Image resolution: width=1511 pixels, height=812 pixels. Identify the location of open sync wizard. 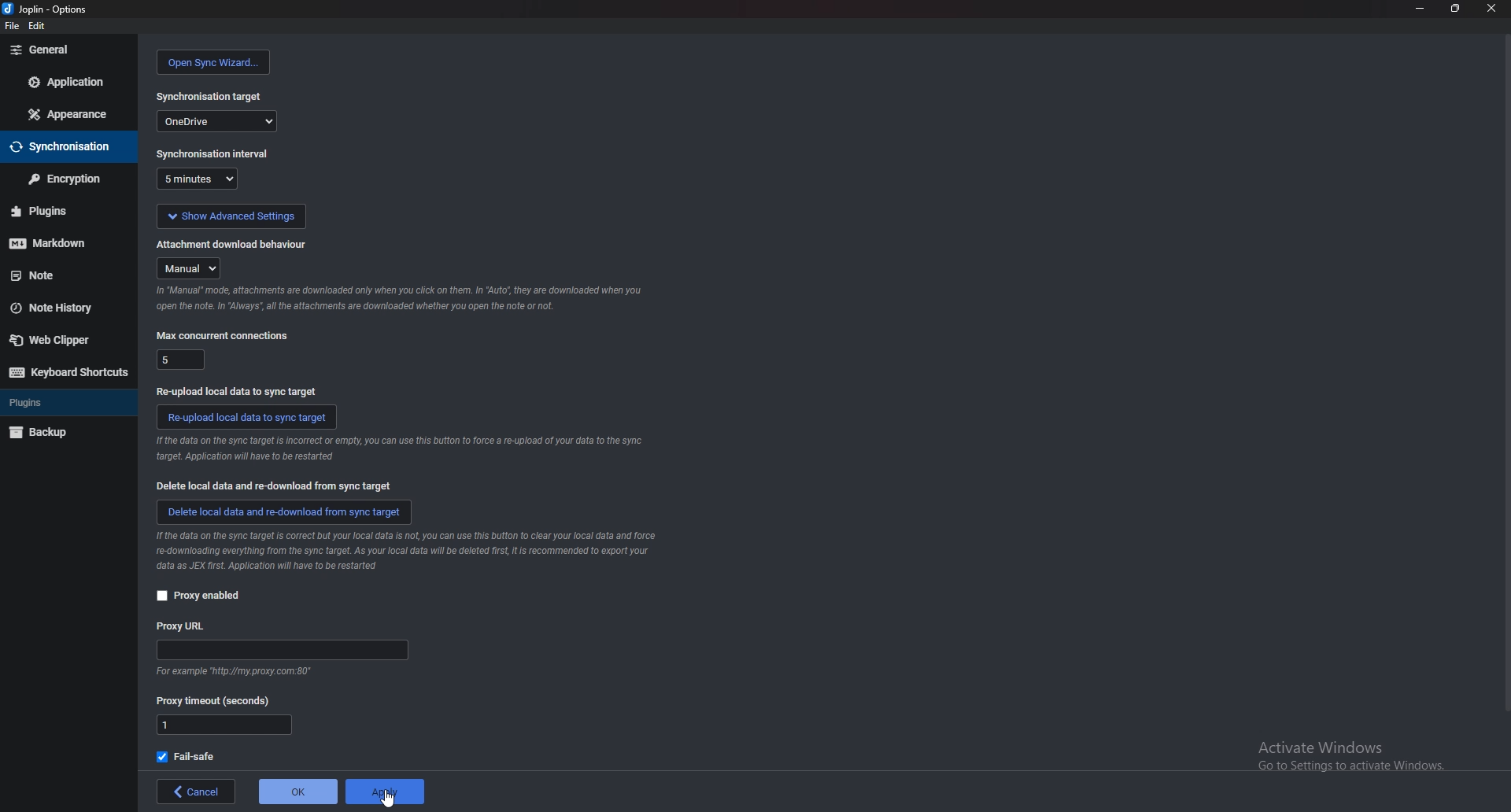
(214, 62).